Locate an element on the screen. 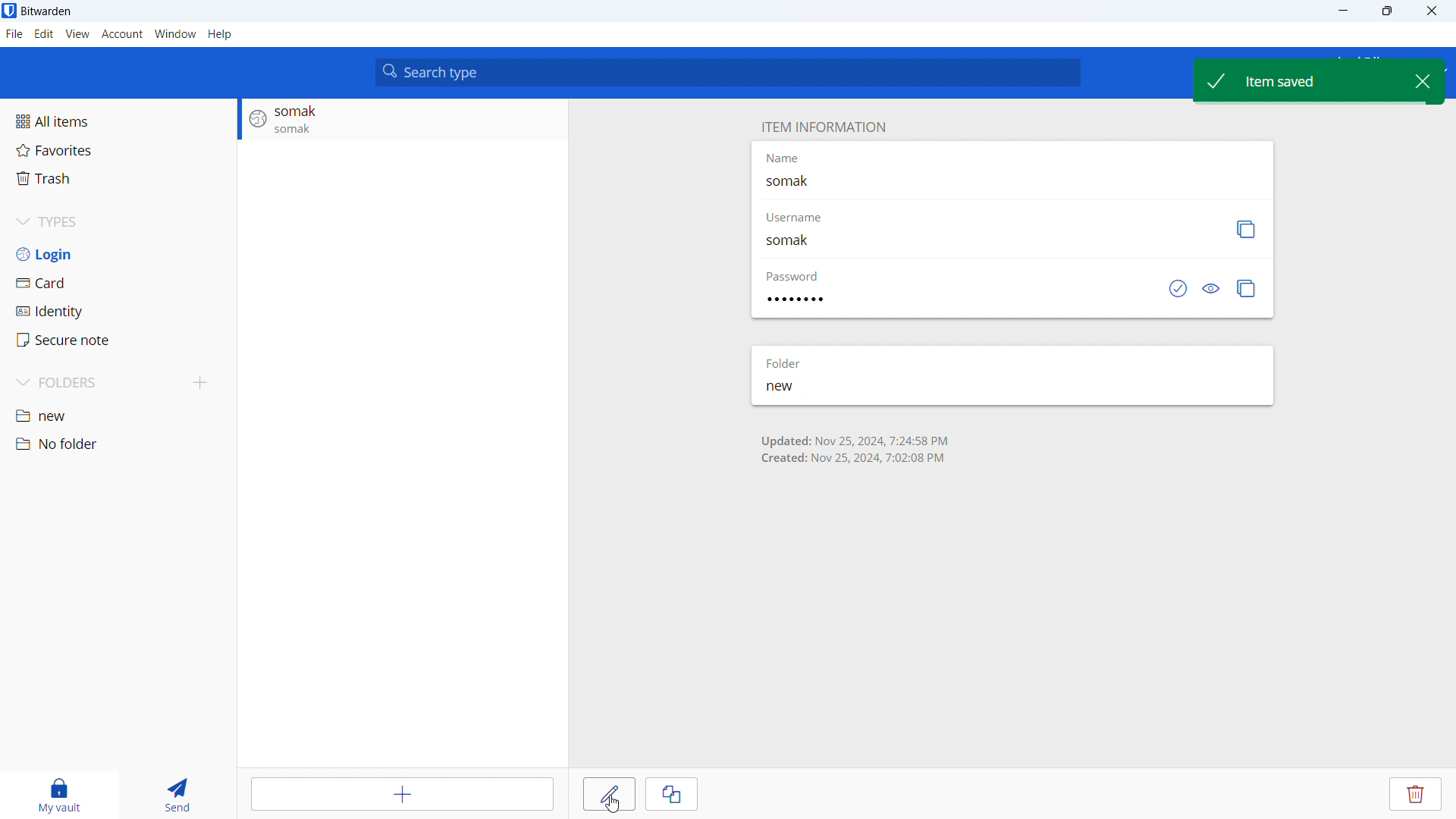  delete is located at coordinates (1417, 794).